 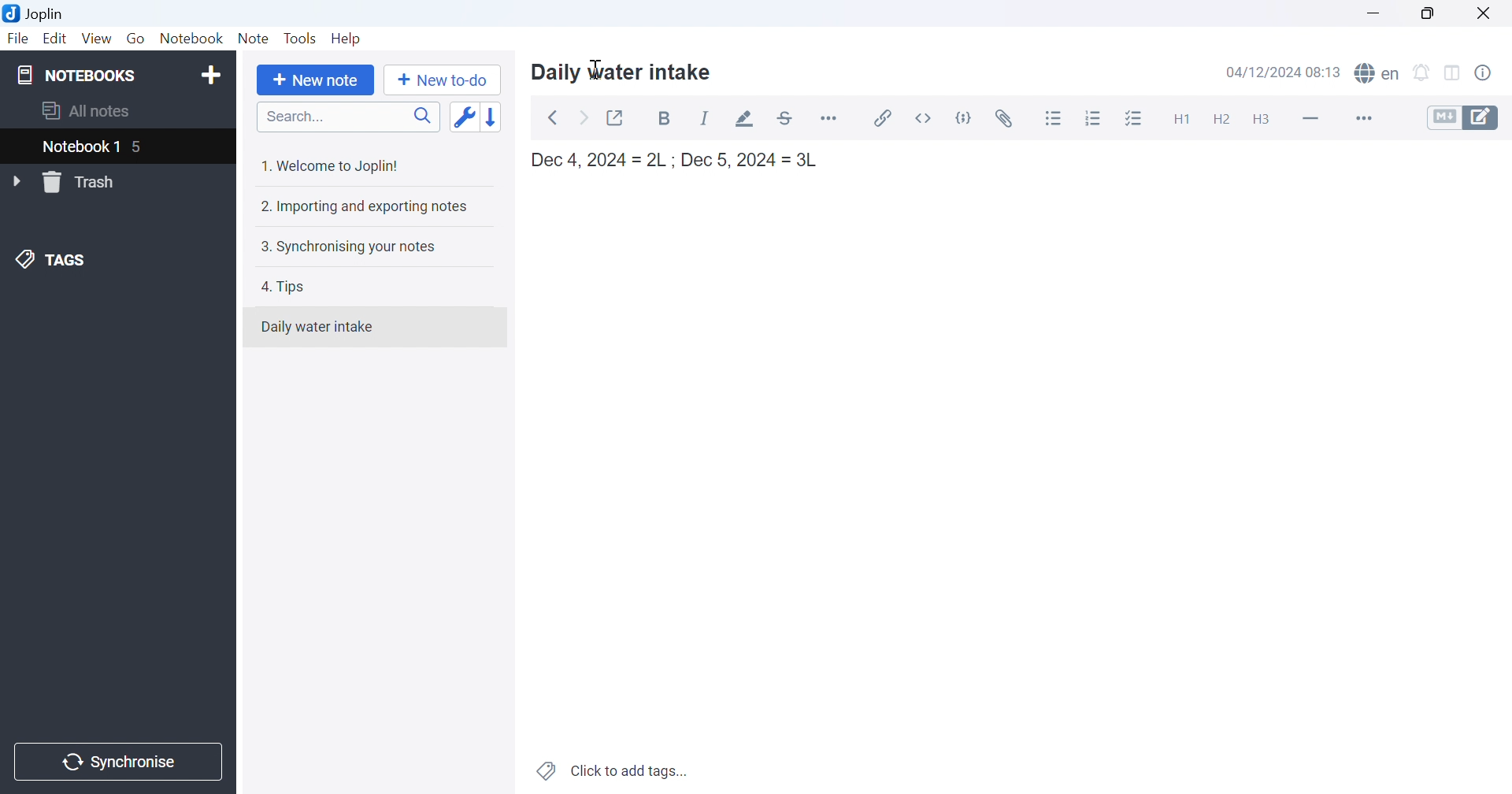 I want to click on Back, so click(x=551, y=118).